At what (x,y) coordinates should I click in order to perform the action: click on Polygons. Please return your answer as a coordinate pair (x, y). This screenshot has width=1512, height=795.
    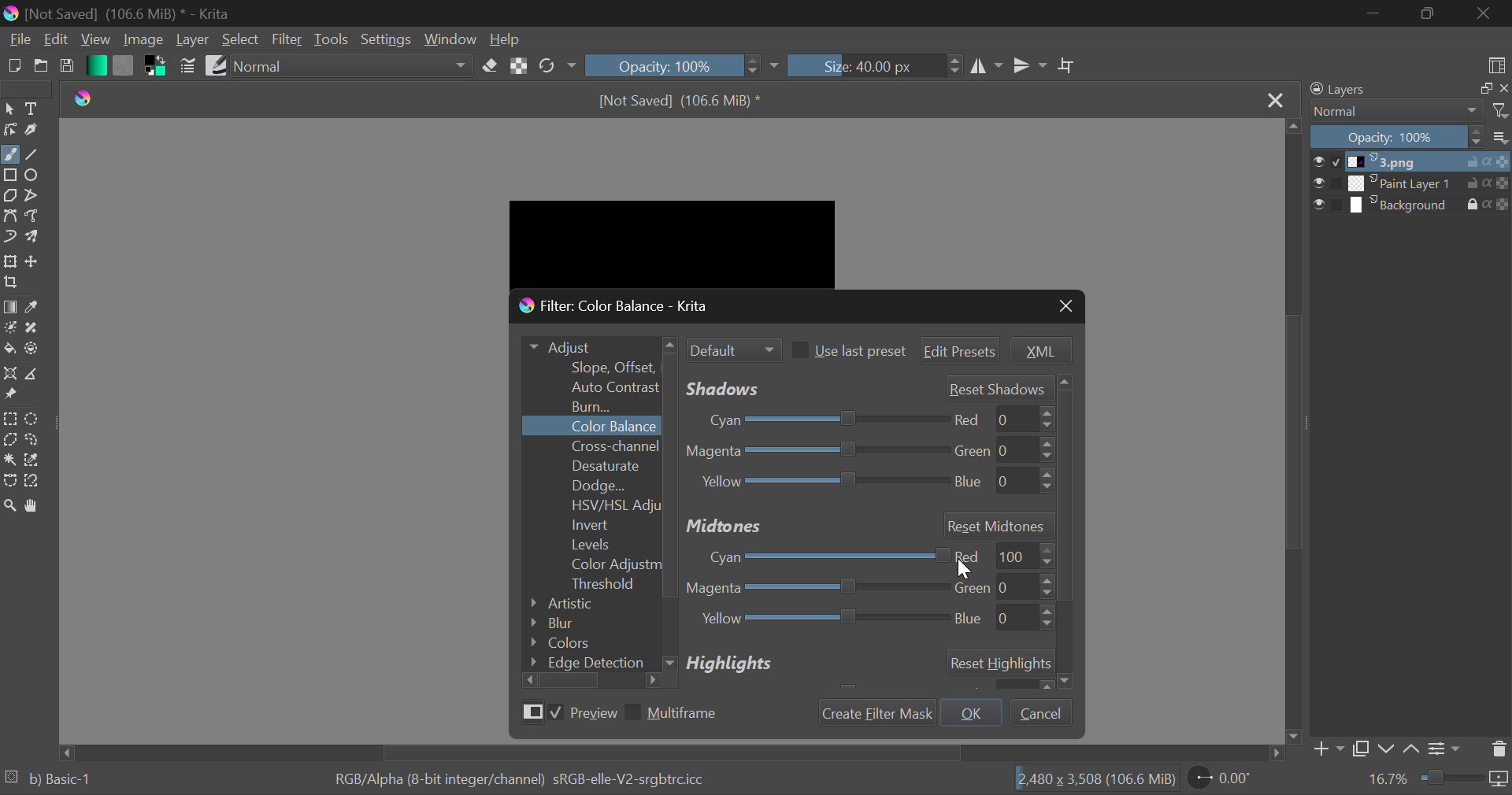
    Looking at the image, I should click on (9, 197).